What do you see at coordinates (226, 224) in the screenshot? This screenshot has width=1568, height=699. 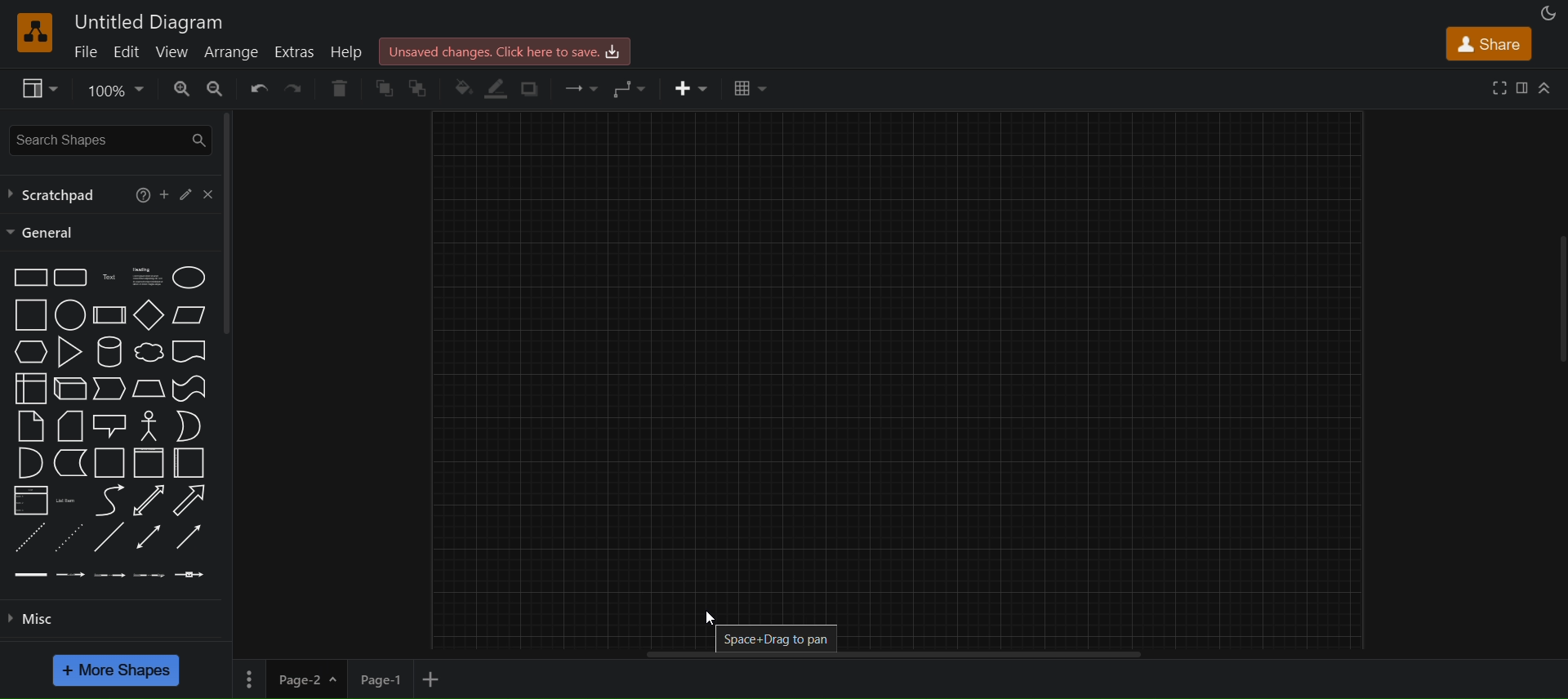 I see `vertical scroll bar` at bounding box center [226, 224].